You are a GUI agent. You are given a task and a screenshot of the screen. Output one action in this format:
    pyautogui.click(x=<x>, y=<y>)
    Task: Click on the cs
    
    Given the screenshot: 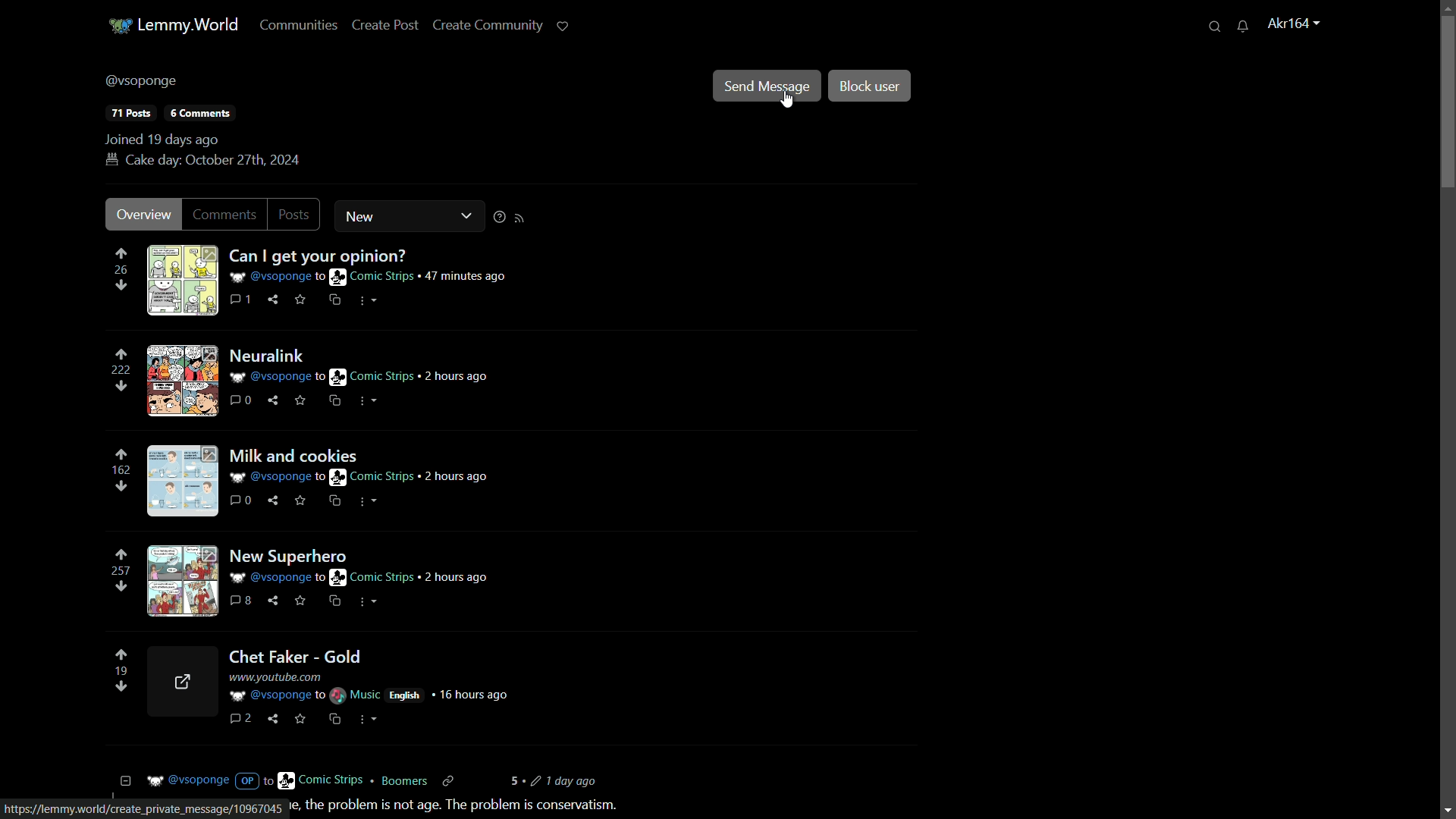 What is the action you would take?
    pyautogui.click(x=334, y=717)
    